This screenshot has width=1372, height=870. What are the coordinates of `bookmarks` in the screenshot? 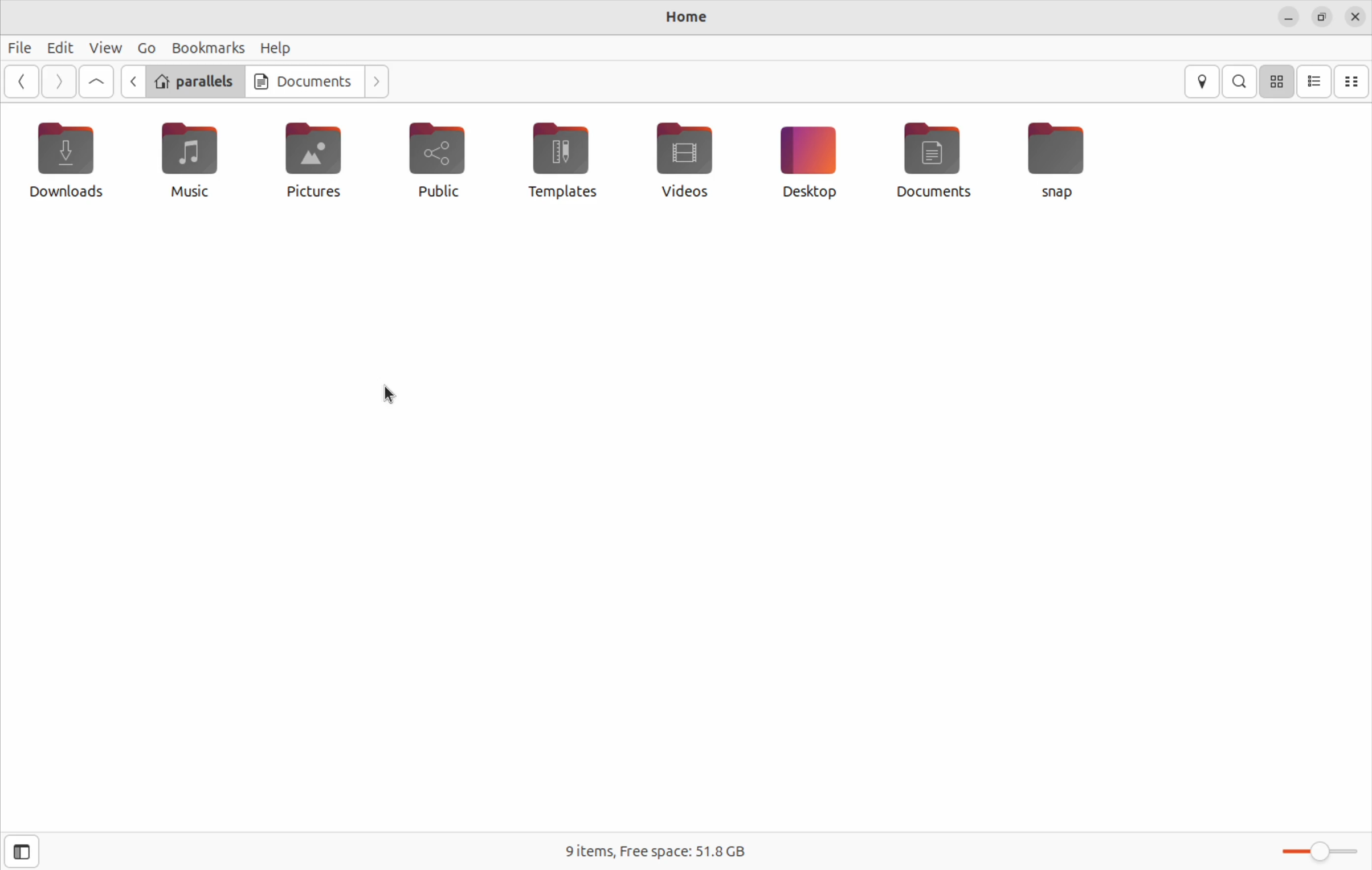 It's located at (208, 47).